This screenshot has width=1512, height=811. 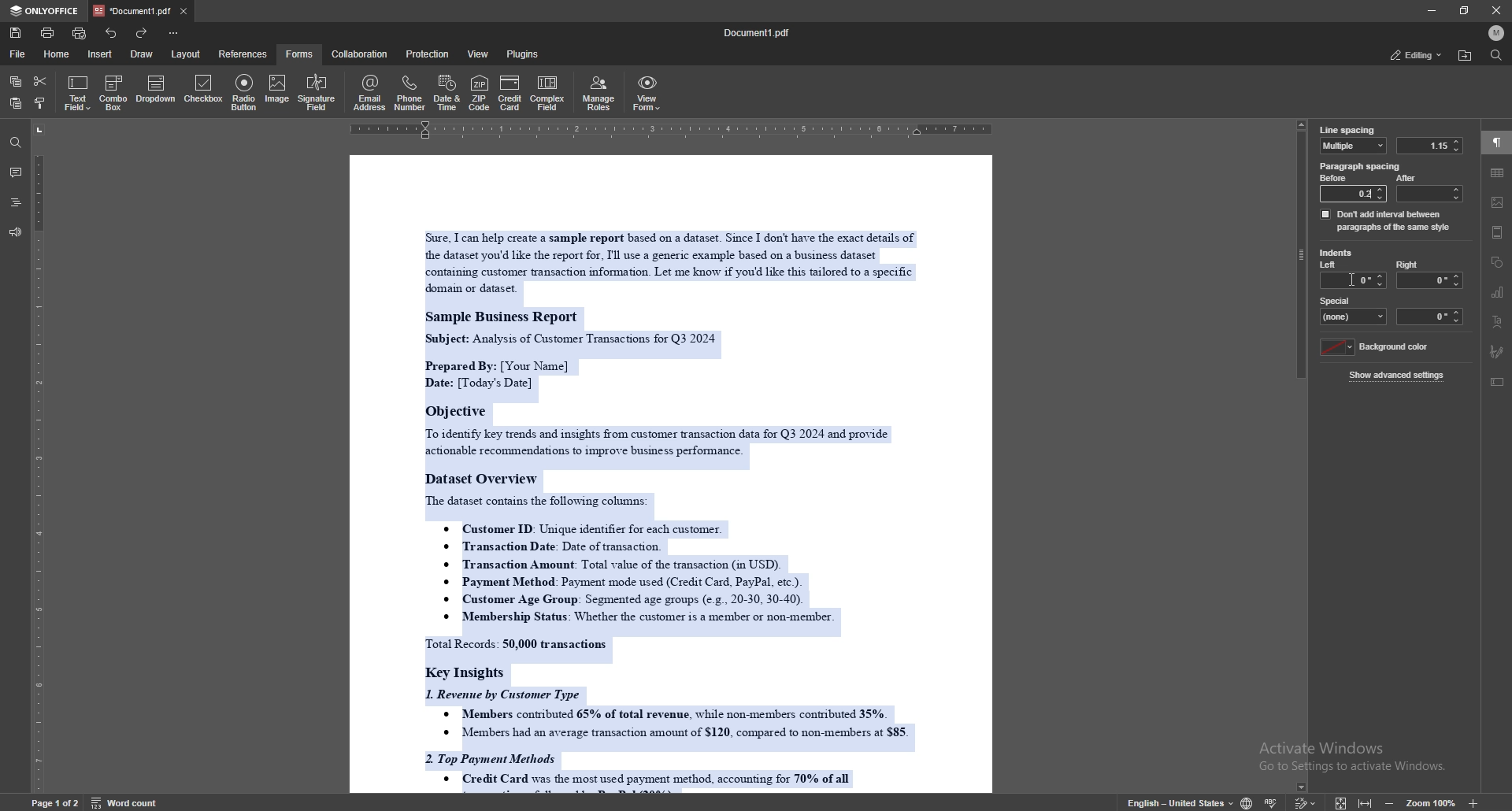 What do you see at coordinates (1341, 802) in the screenshot?
I see `fit to screen` at bounding box center [1341, 802].